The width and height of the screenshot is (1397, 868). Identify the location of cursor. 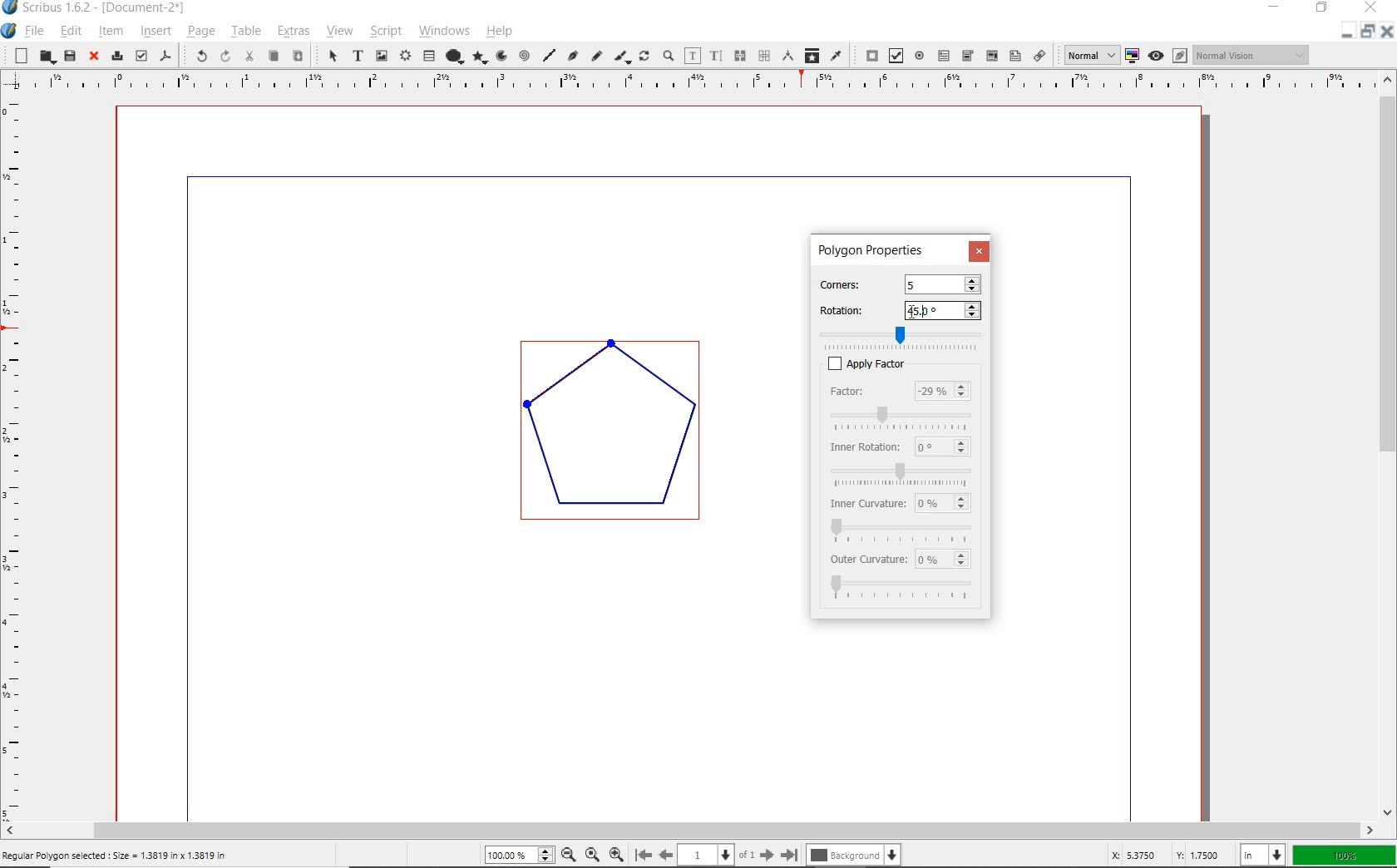
(926, 311).